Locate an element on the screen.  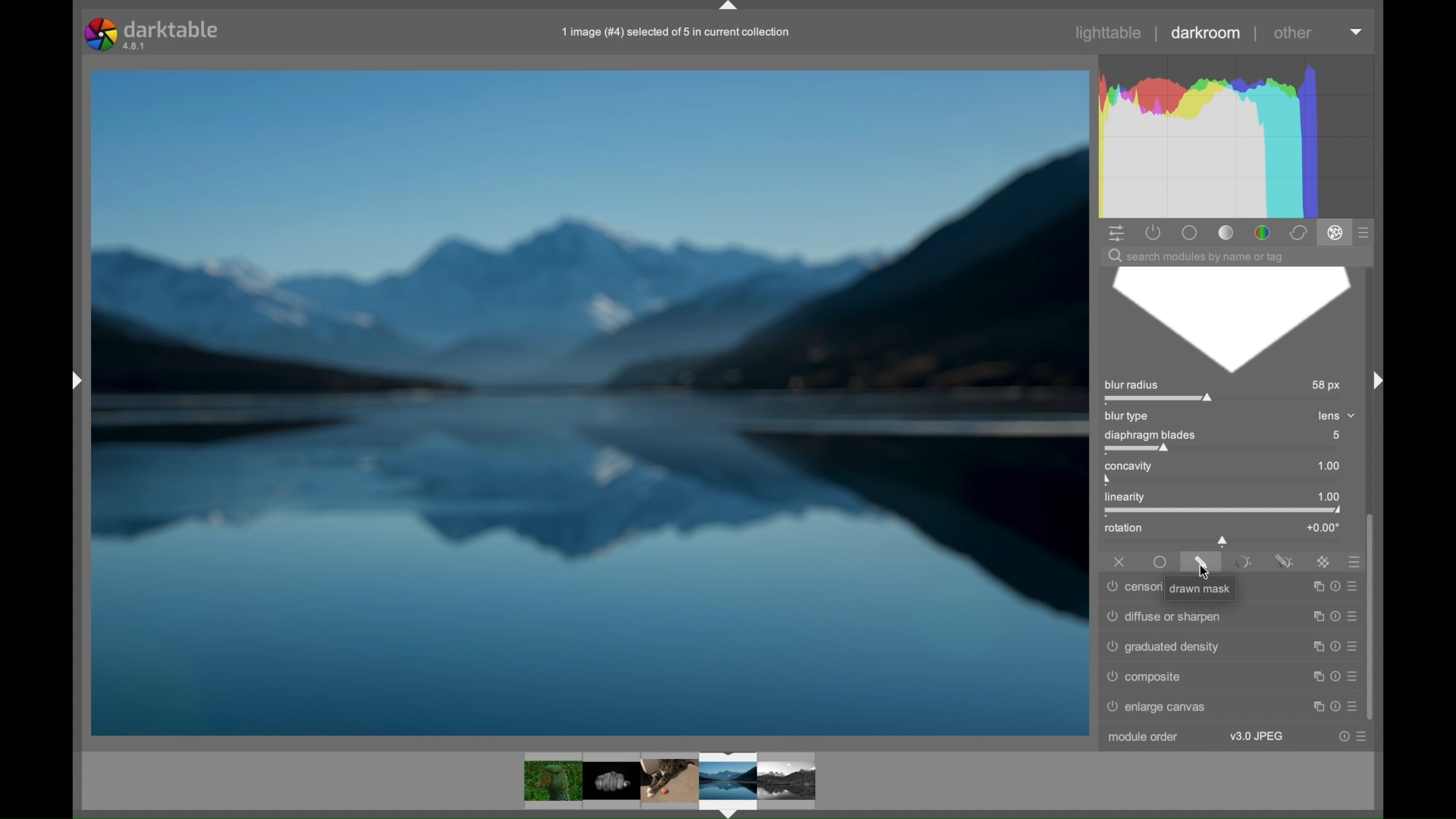
uniformly is located at coordinates (1161, 563).